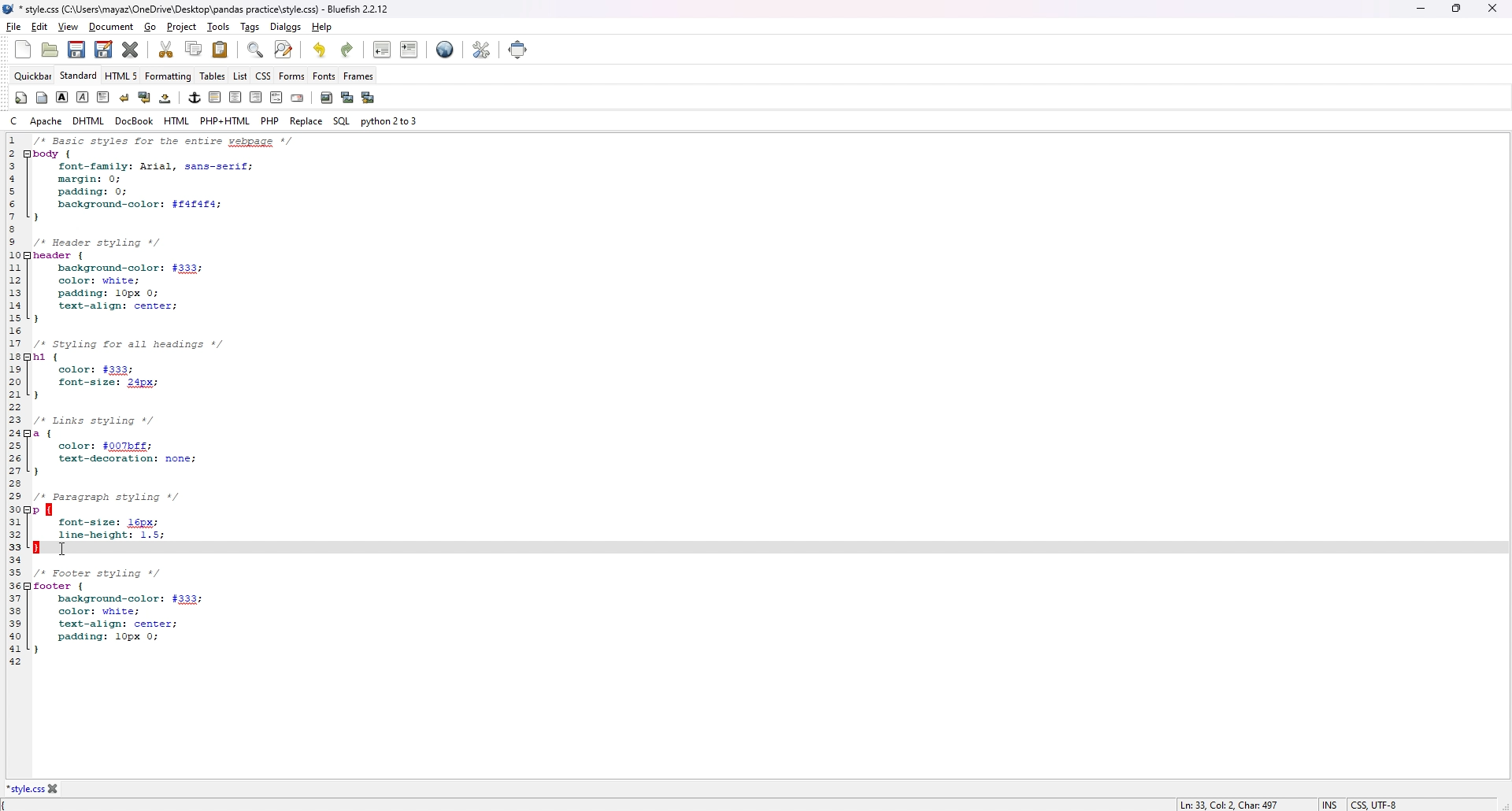 This screenshot has width=1512, height=811. I want to click on 35 /* Footer styling */ 36 footer {37 background-color: #333; 38 color: white; 39 text-align: center; 40 padding: 10px 0; 41 } 42, so click(113, 623).